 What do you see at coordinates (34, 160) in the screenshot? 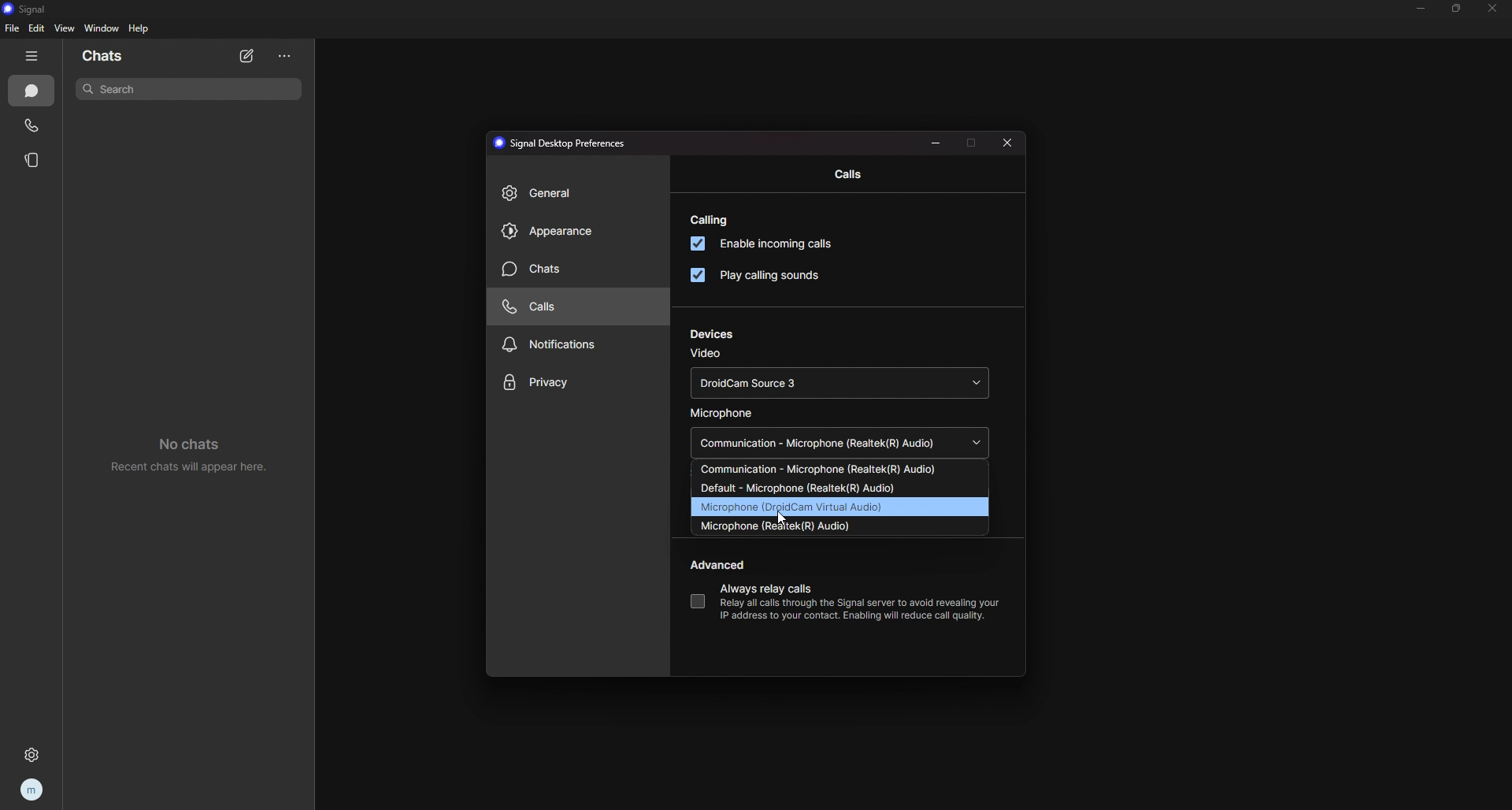
I see `stories` at bounding box center [34, 160].